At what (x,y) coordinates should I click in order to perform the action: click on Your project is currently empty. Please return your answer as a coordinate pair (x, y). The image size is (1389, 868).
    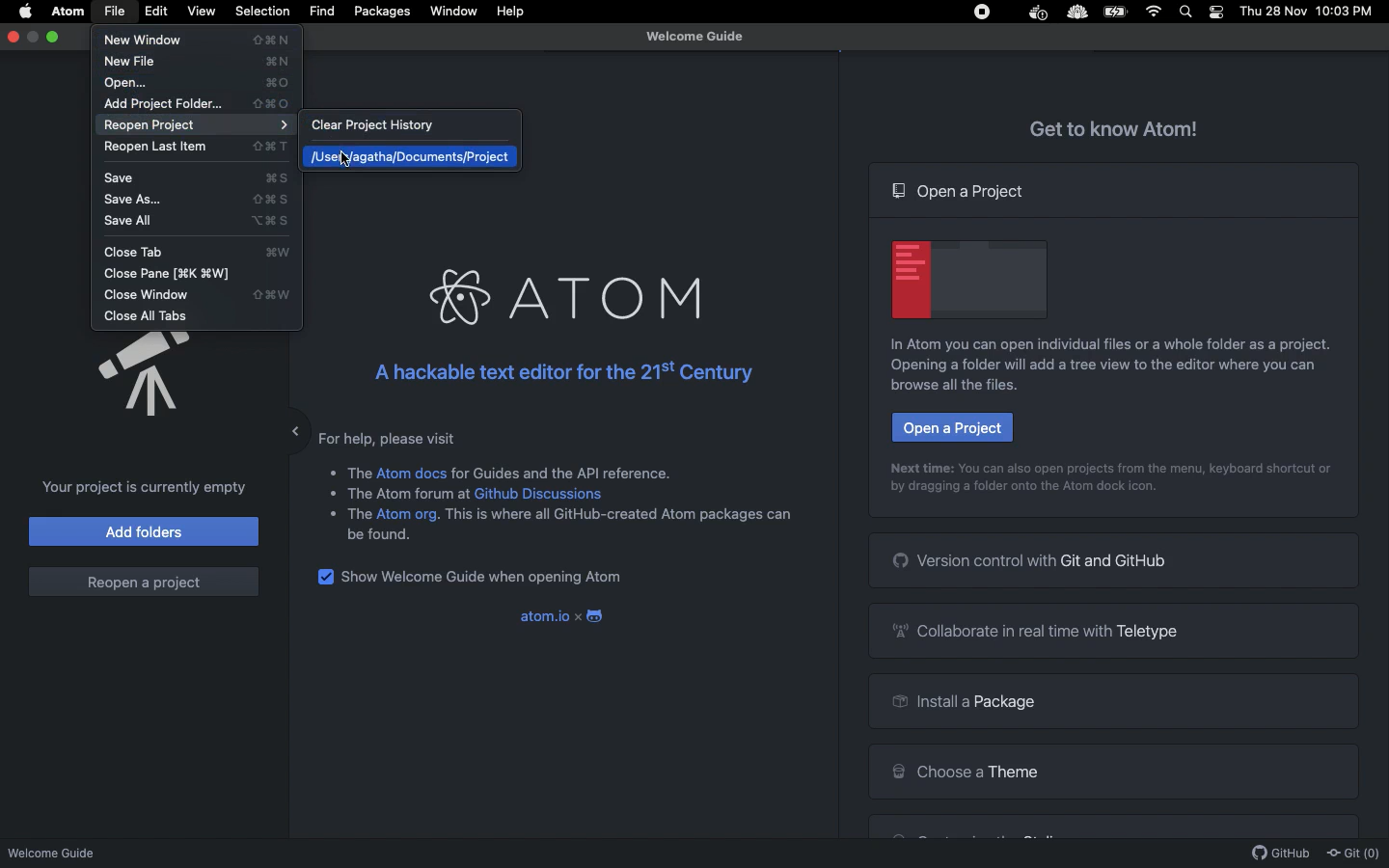
    Looking at the image, I should click on (139, 487).